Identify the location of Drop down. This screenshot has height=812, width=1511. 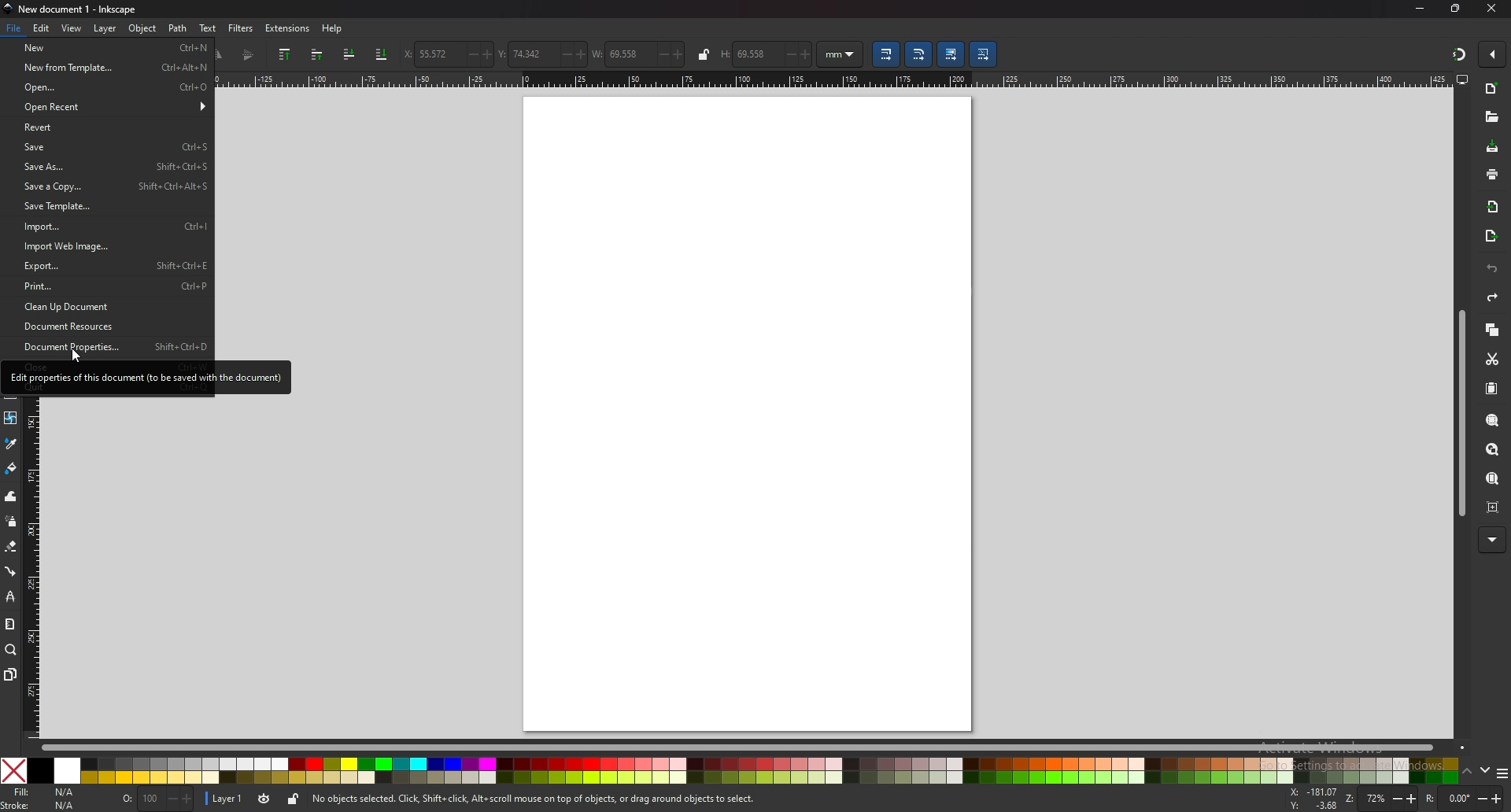
(853, 54).